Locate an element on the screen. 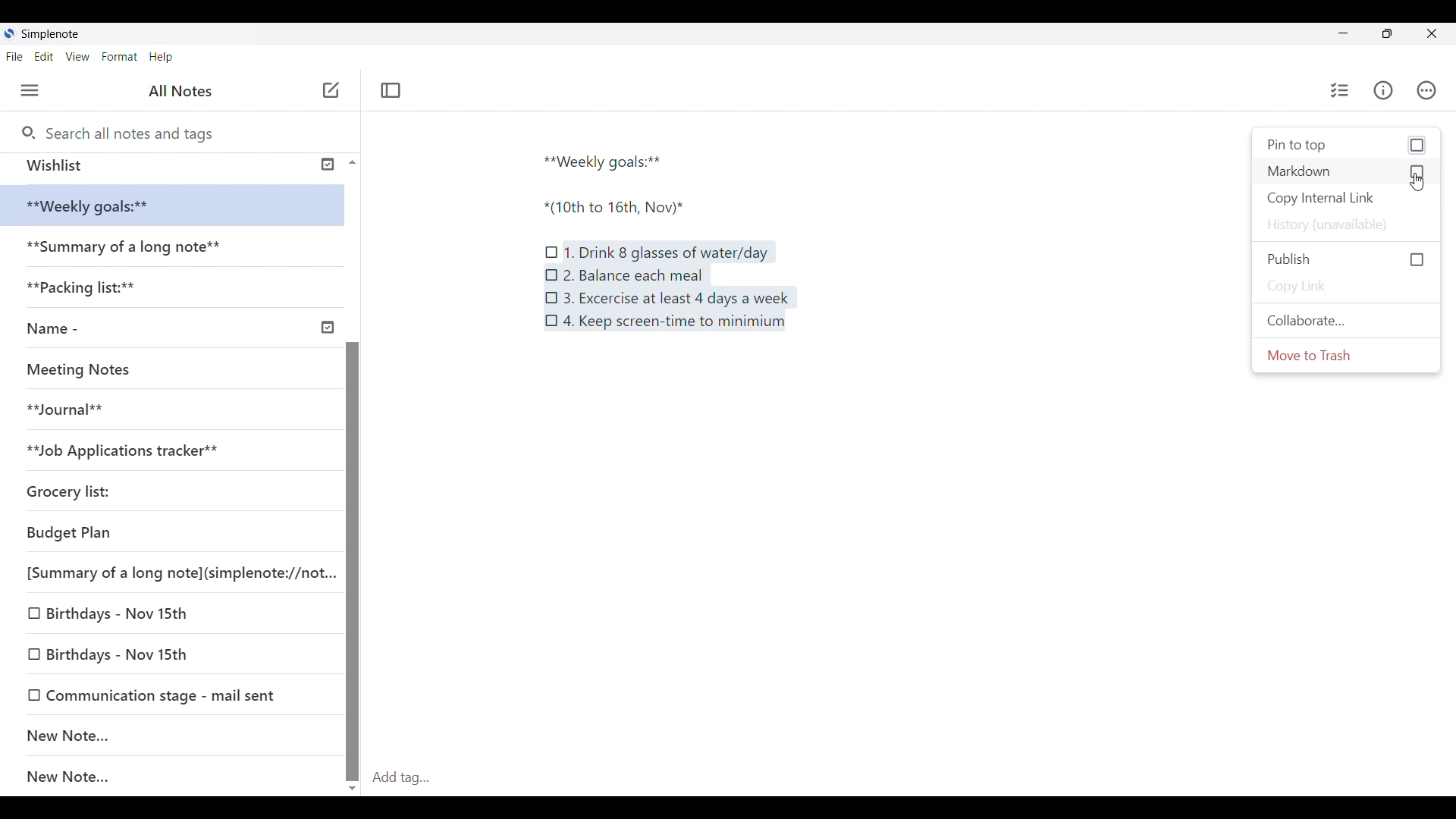 The width and height of the screenshot is (1456, 819). 4. Keep screen-time to minimum is located at coordinates (679, 326).